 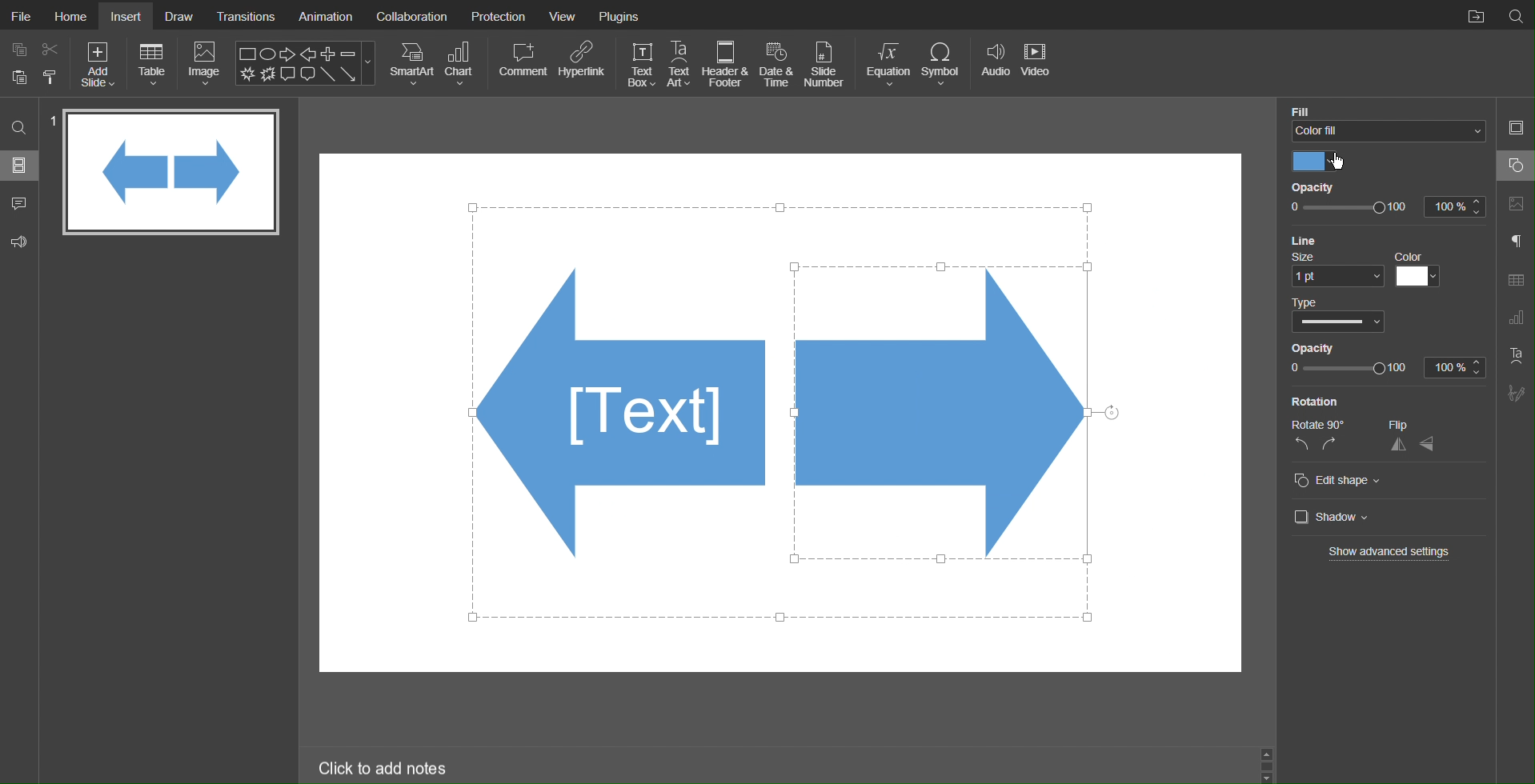 I want to click on View, so click(x=566, y=14).